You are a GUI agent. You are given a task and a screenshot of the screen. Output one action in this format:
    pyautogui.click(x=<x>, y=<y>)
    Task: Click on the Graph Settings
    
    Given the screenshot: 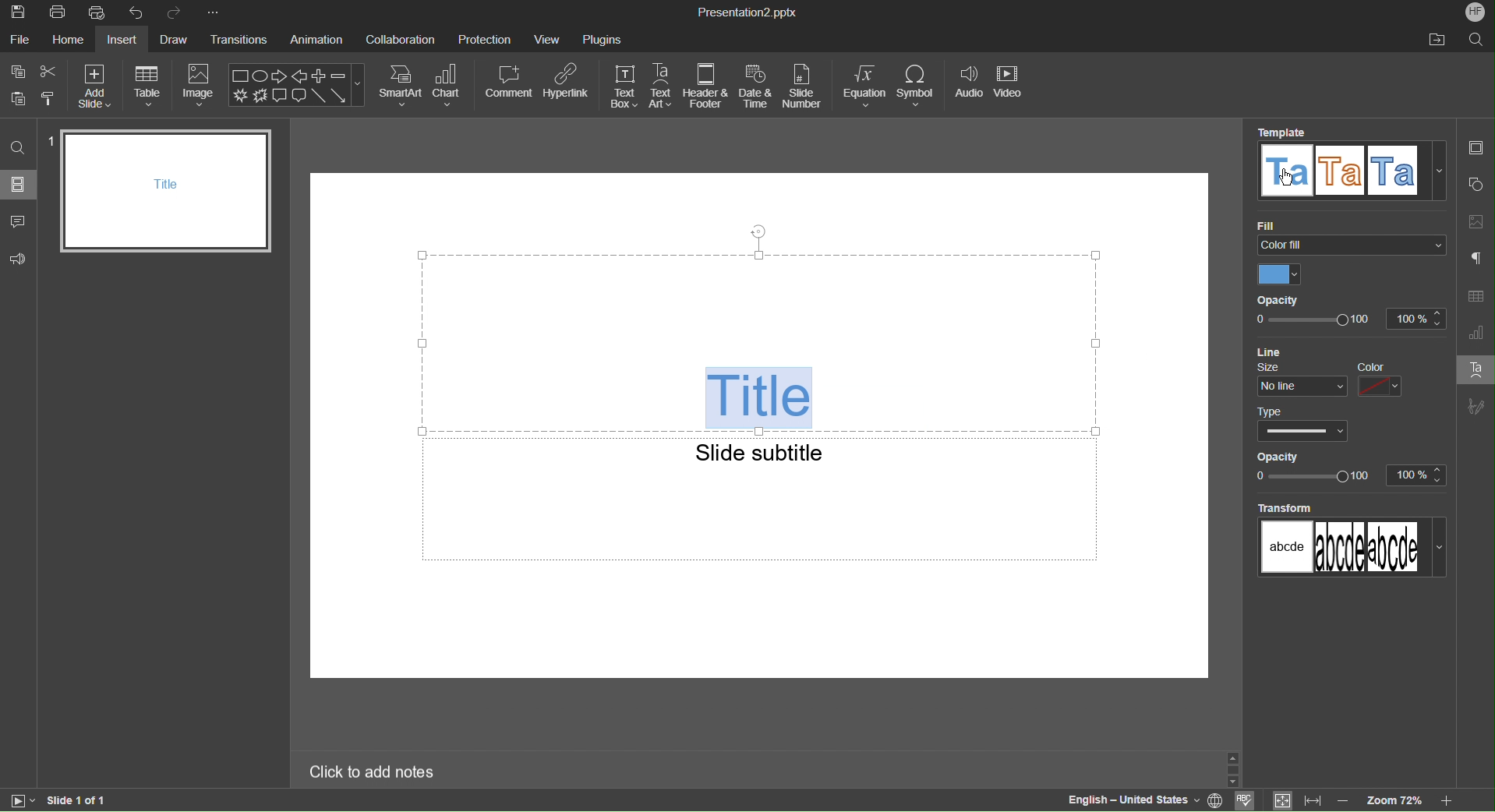 What is the action you would take?
    pyautogui.click(x=1476, y=332)
    